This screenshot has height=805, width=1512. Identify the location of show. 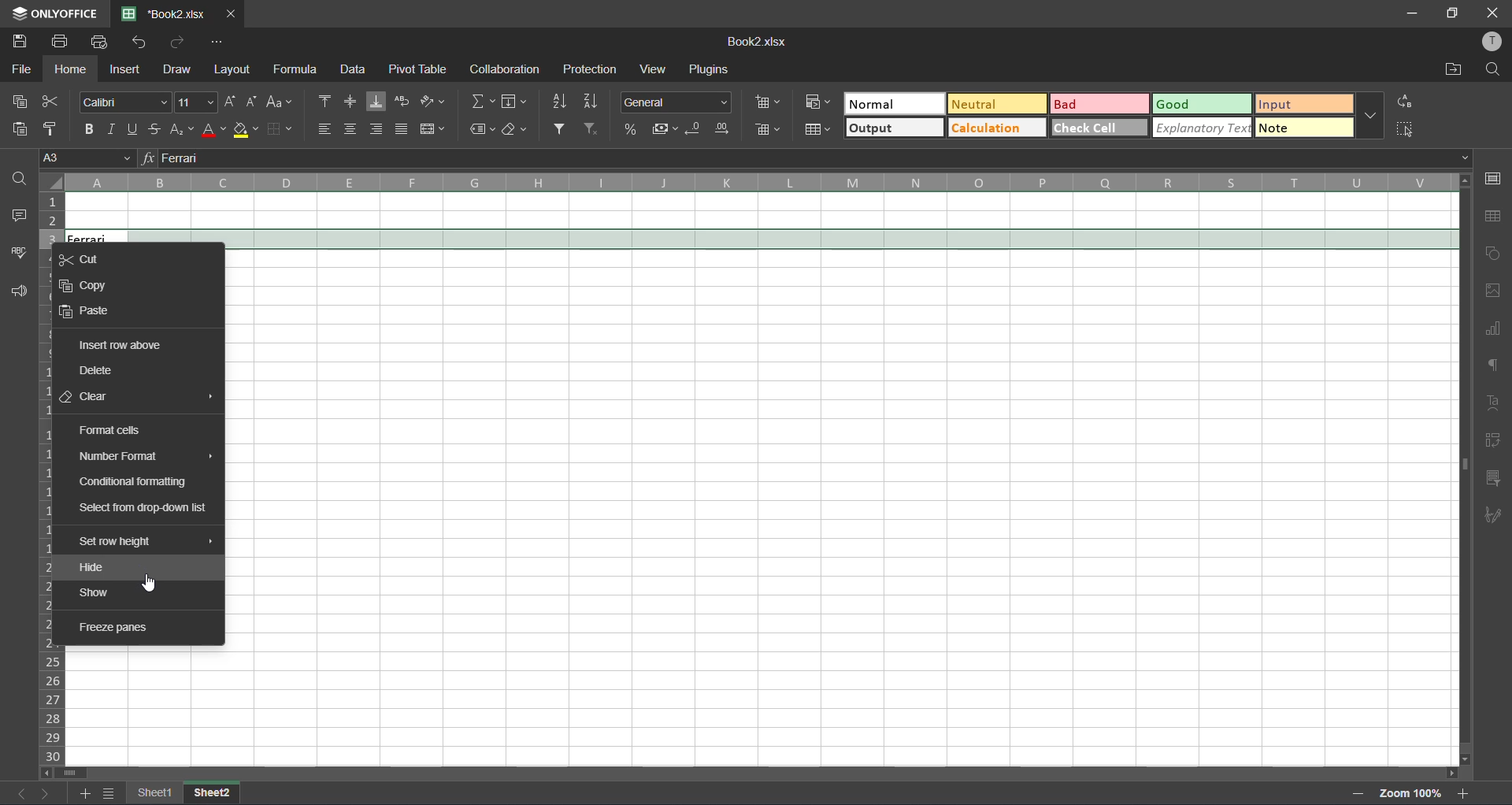
(97, 592).